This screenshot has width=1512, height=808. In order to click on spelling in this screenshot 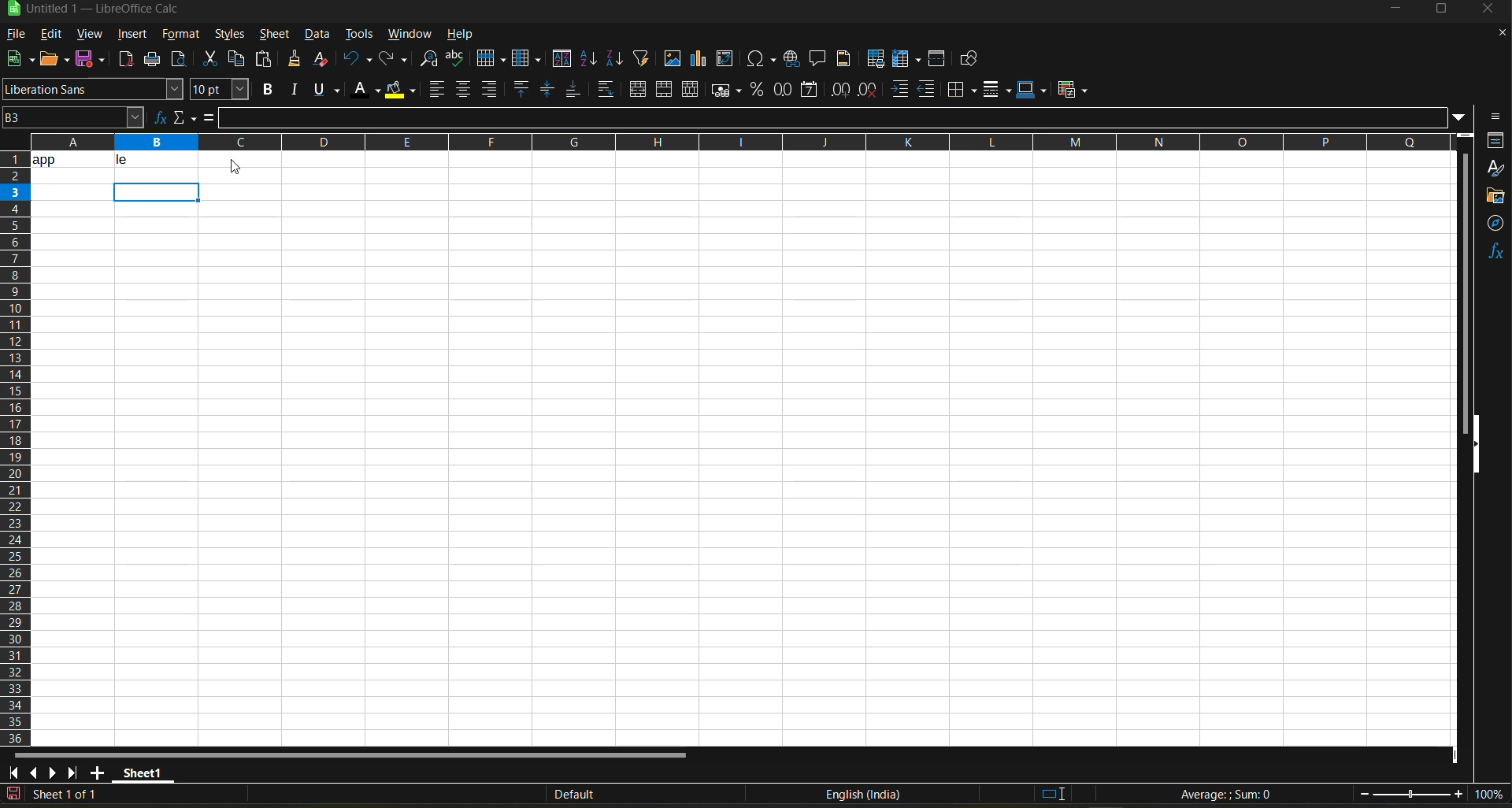, I will do `click(454, 60)`.